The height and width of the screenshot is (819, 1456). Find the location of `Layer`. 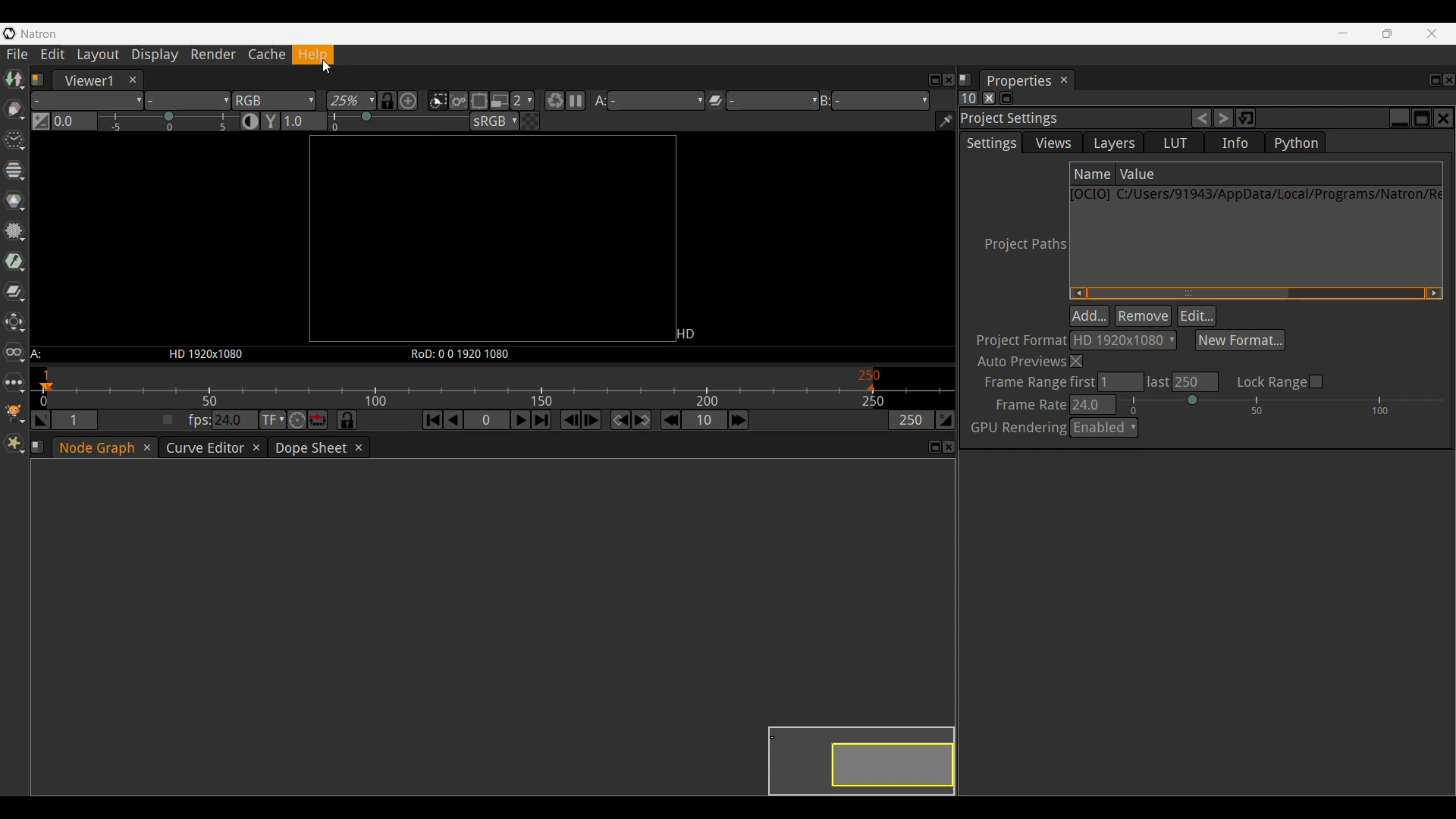

Layer is located at coordinates (86, 101).